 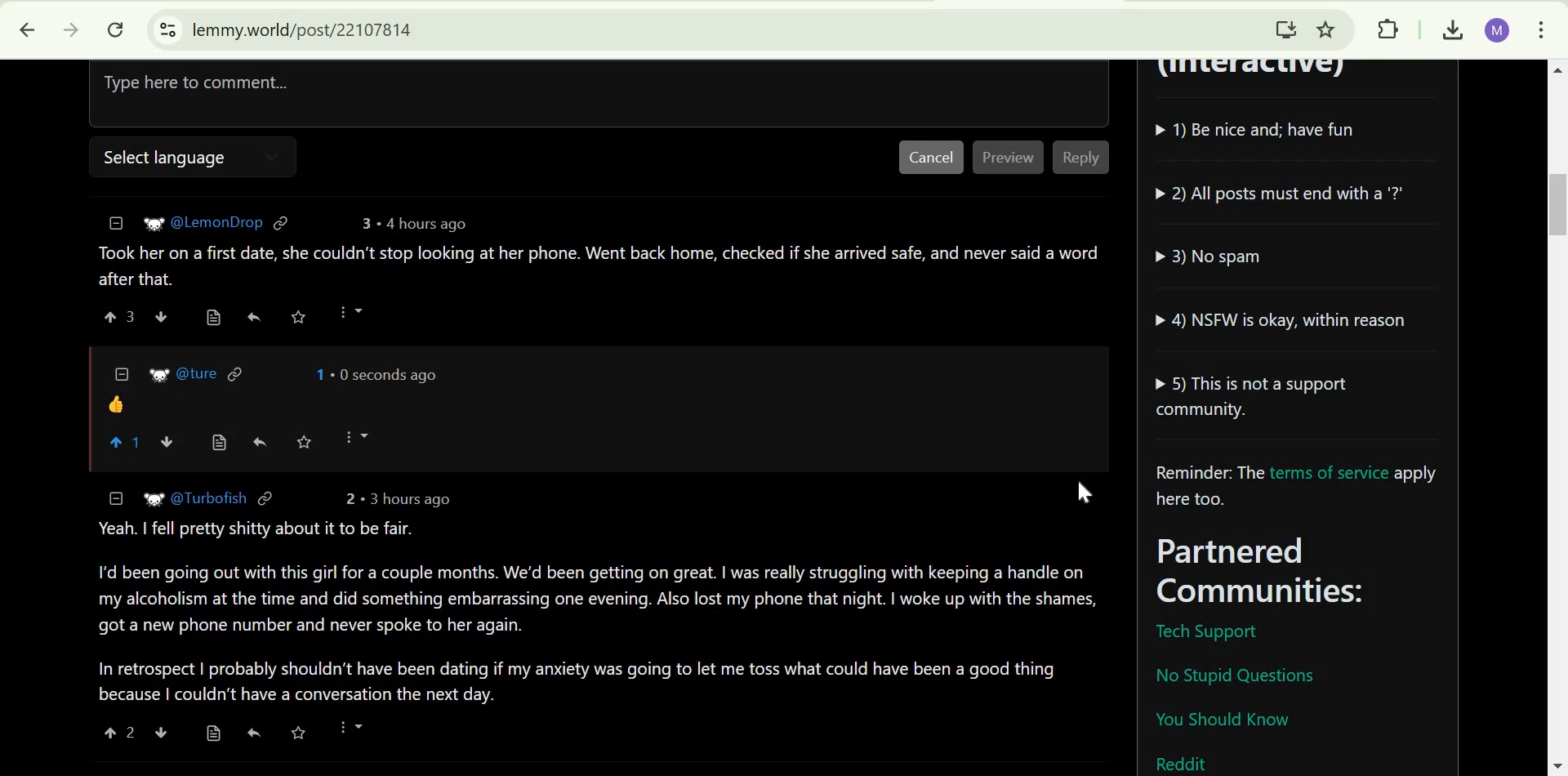 What do you see at coordinates (1555, 418) in the screenshot?
I see `scrollbar` at bounding box center [1555, 418].